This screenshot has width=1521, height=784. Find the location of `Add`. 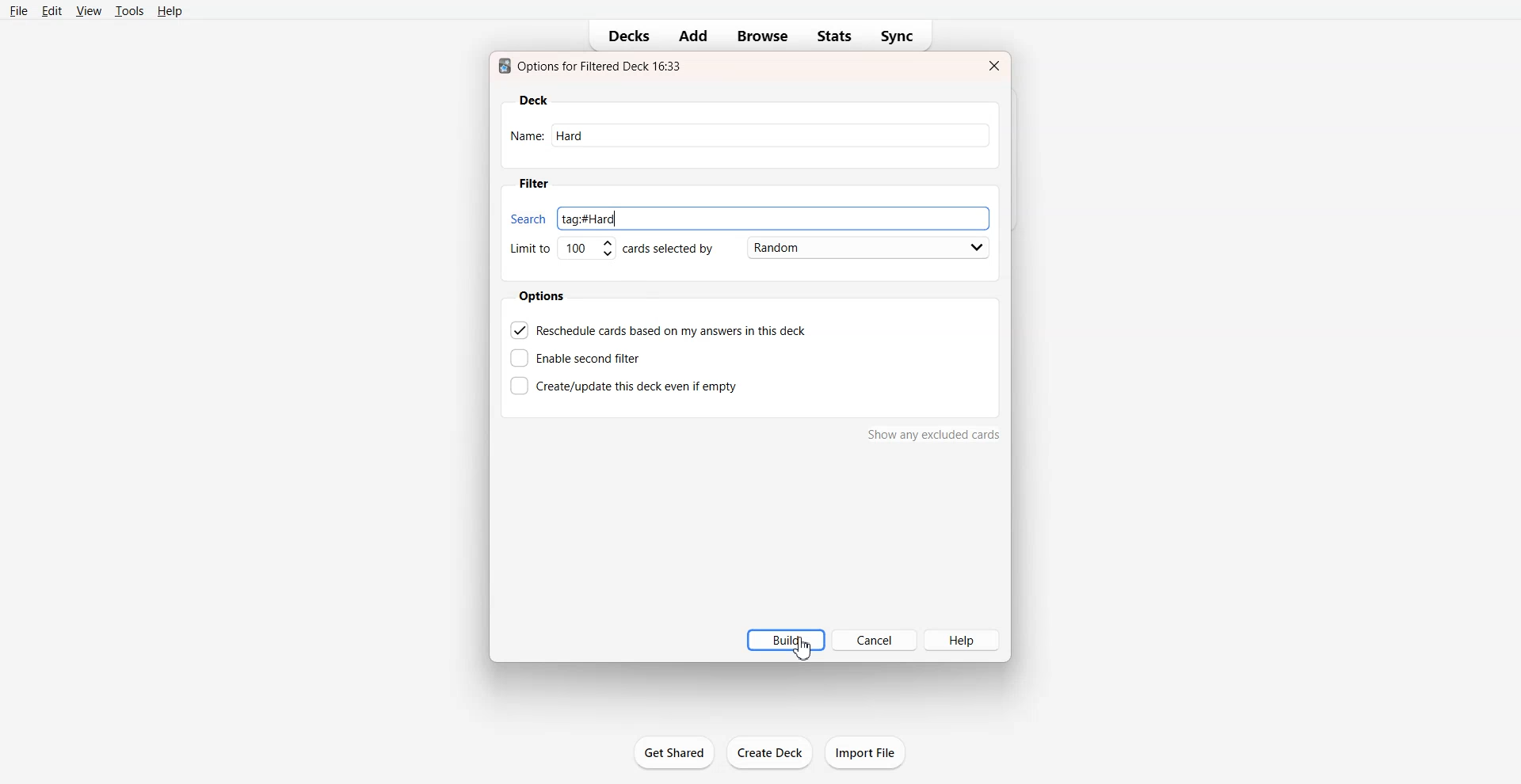

Add is located at coordinates (692, 36).